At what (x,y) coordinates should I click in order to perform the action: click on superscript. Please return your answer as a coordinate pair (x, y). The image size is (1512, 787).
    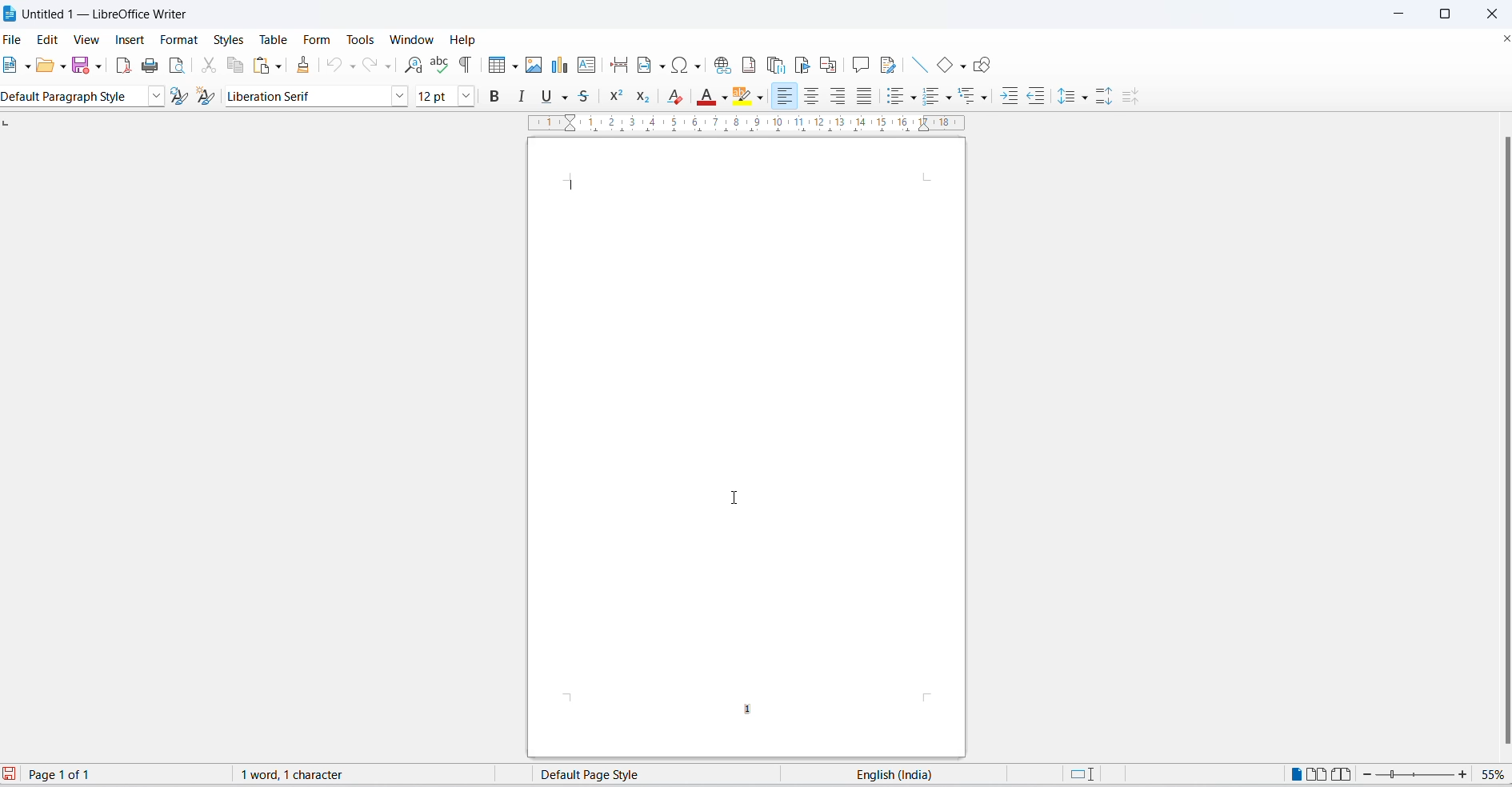
    Looking at the image, I should click on (617, 96).